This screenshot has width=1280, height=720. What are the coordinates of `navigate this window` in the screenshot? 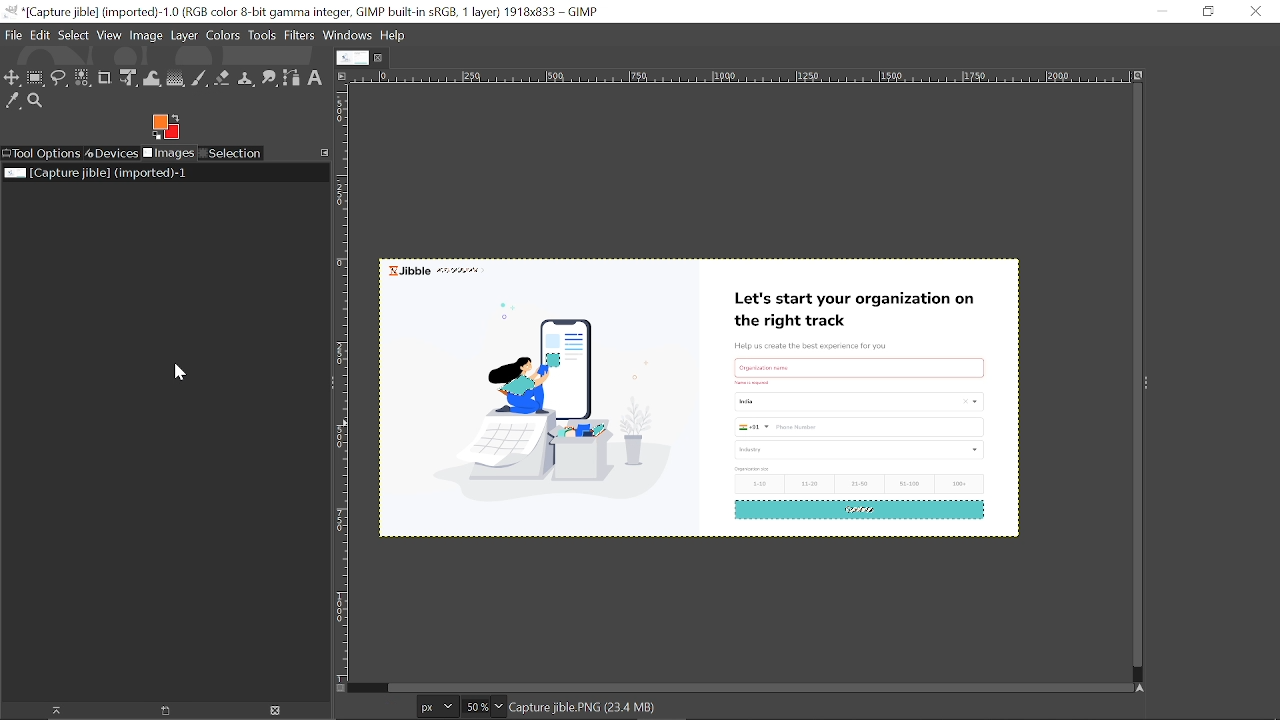 It's located at (1144, 687).